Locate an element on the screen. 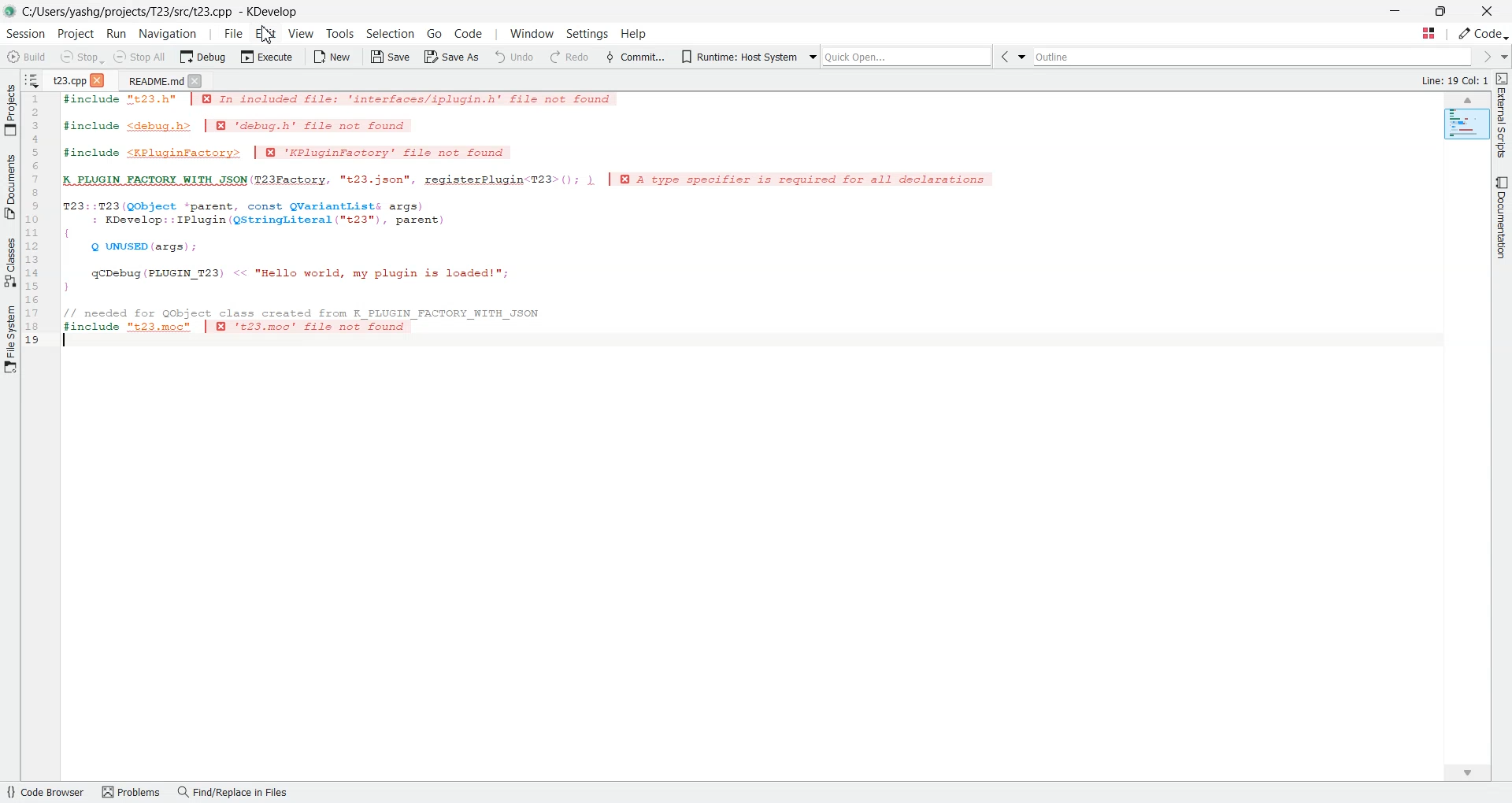 This screenshot has width=1512, height=803. Project is located at coordinates (10, 109).